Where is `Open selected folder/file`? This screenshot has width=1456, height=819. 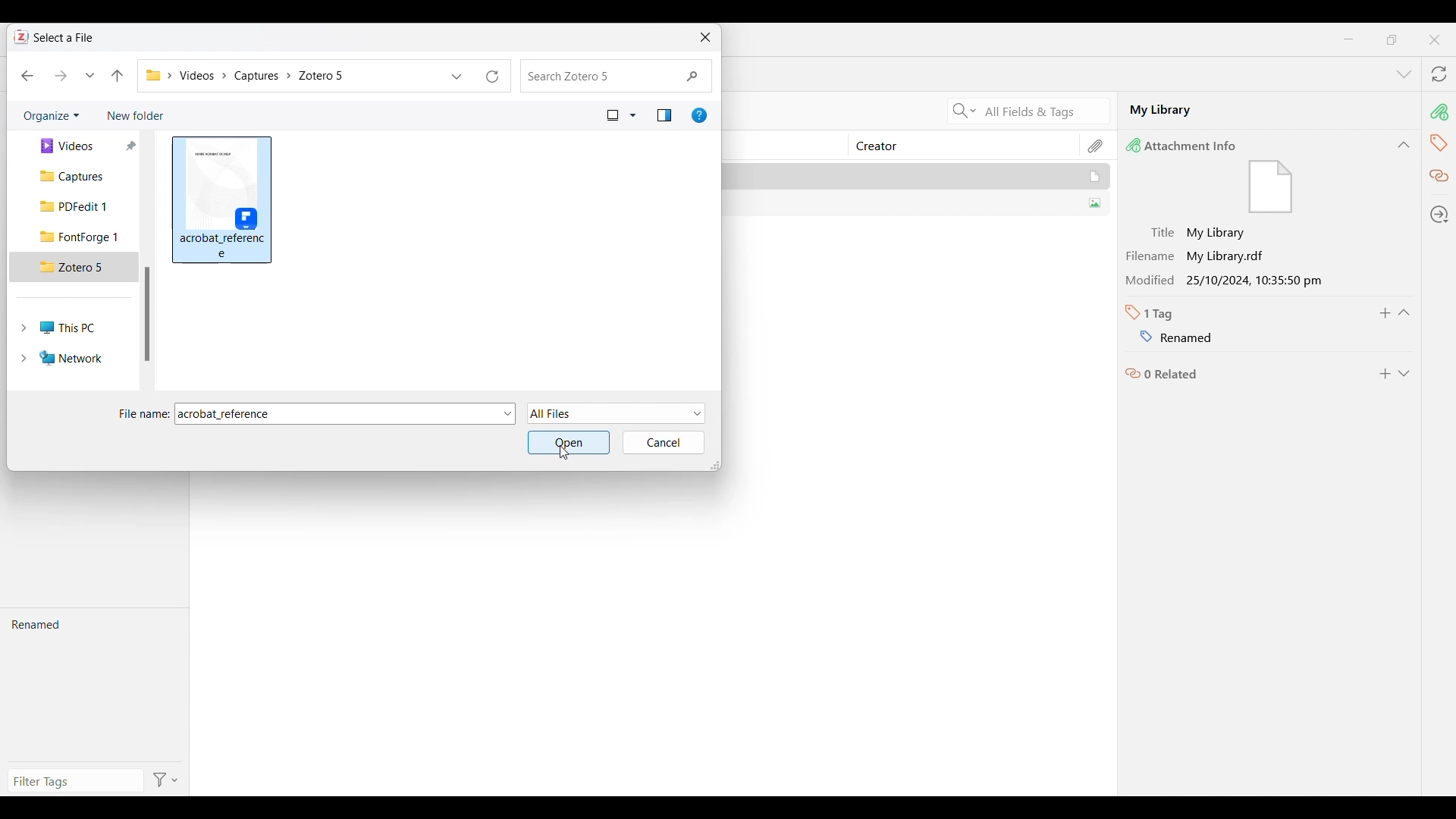 Open selected folder/file is located at coordinates (570, 442).